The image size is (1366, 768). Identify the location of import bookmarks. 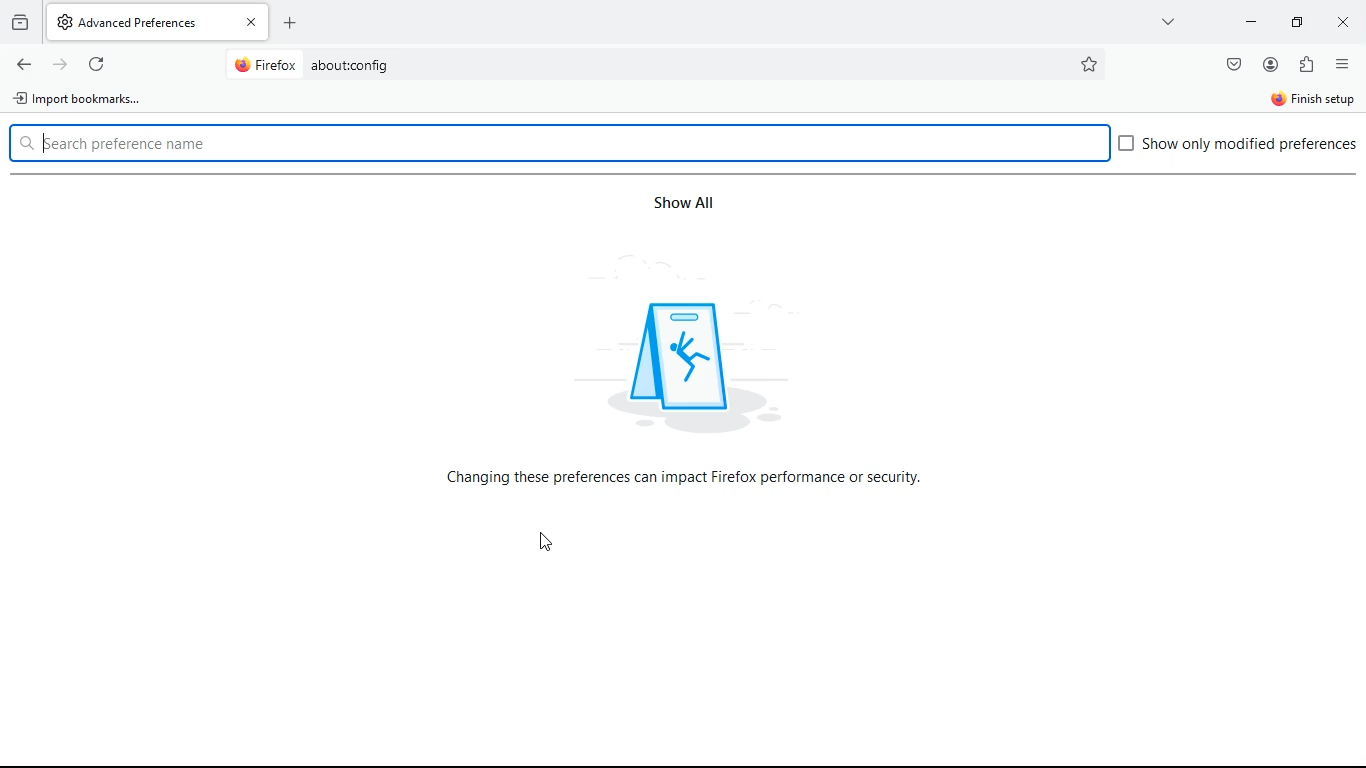
(80, 100).